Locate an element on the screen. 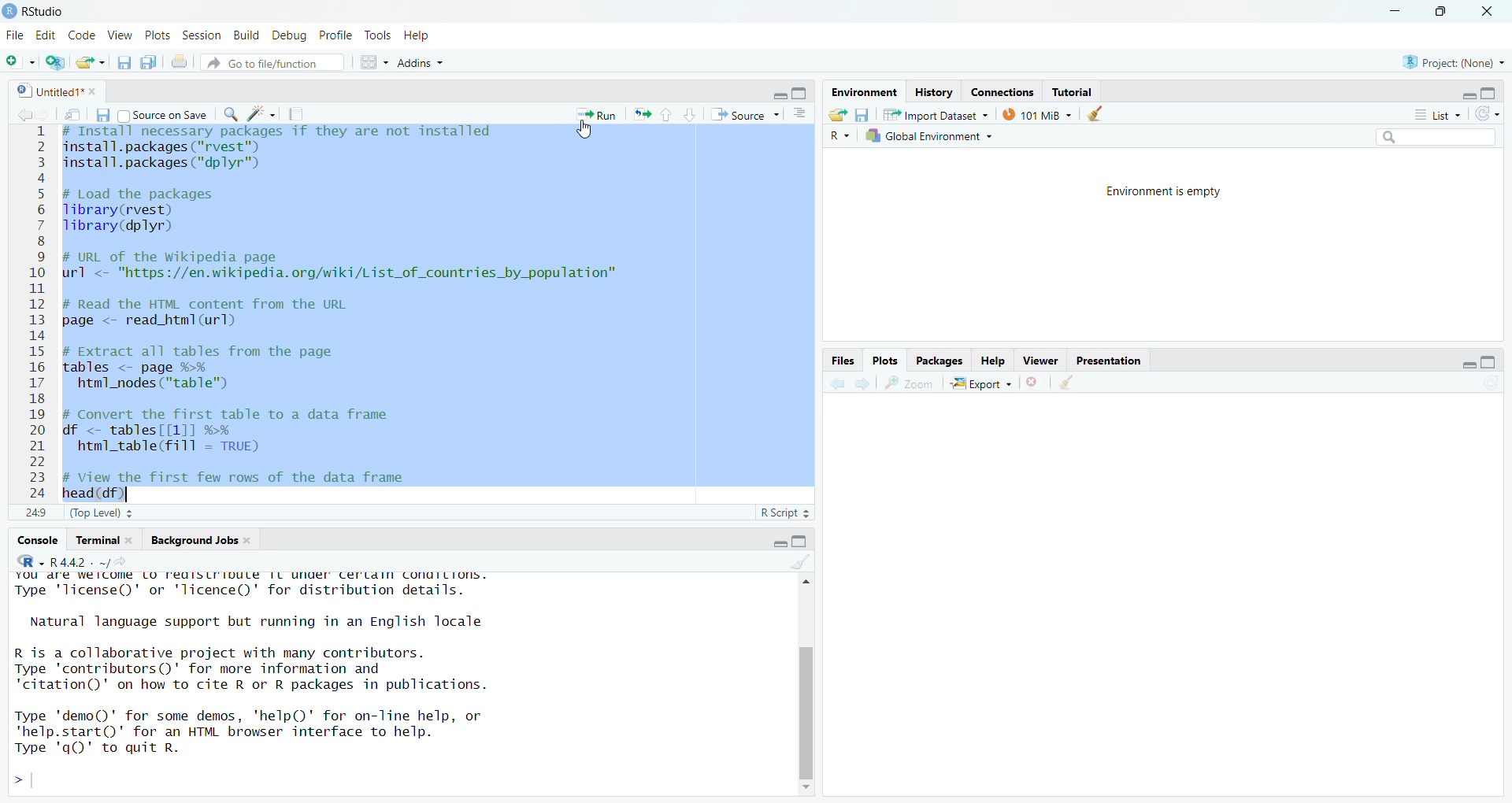 This screenshot has width=1512, height=803. options is located at coordinates (799, 113).